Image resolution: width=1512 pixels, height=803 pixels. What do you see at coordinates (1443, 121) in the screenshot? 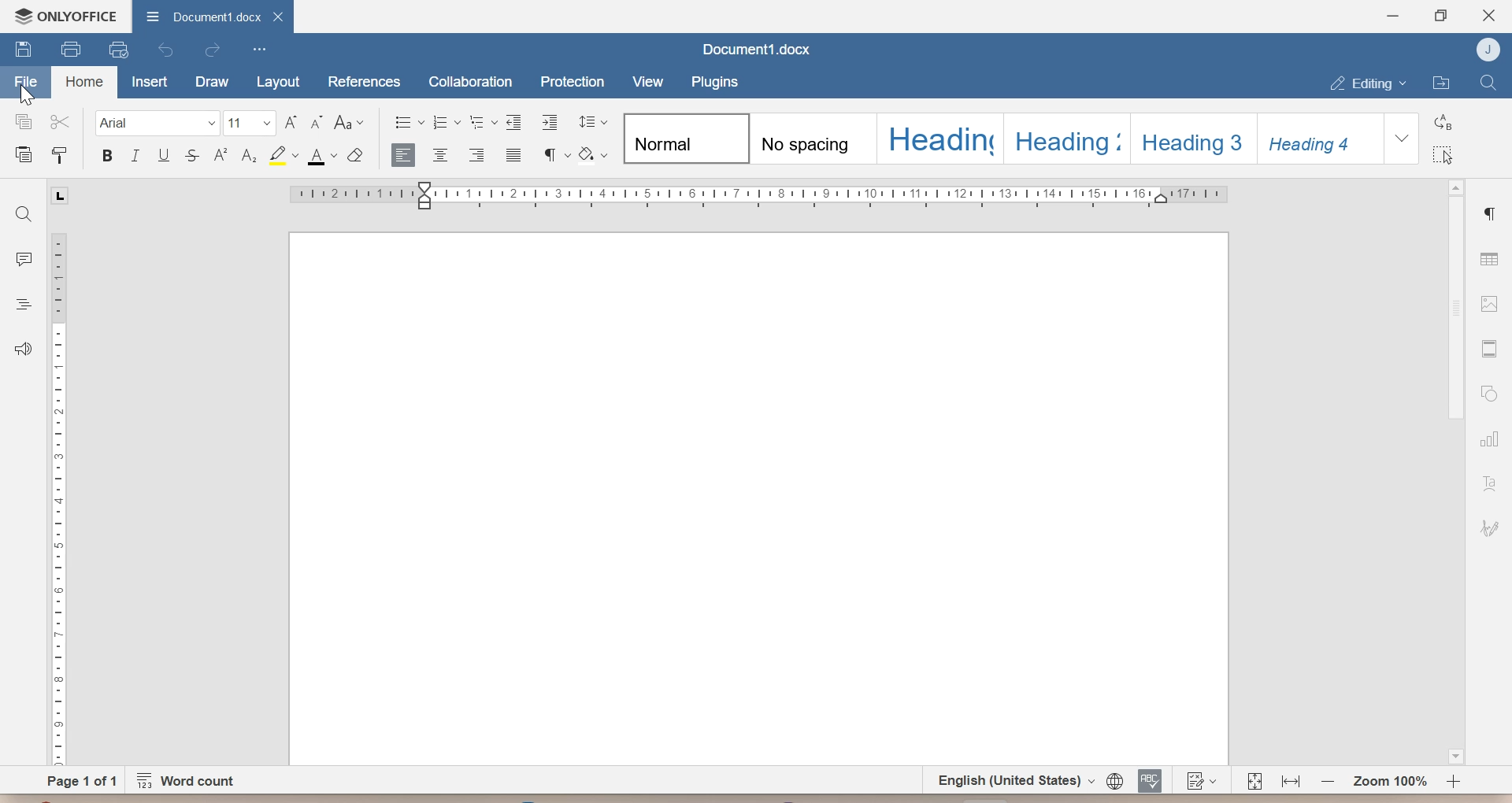
I see `Replace` at bounding box center [1443, 121].